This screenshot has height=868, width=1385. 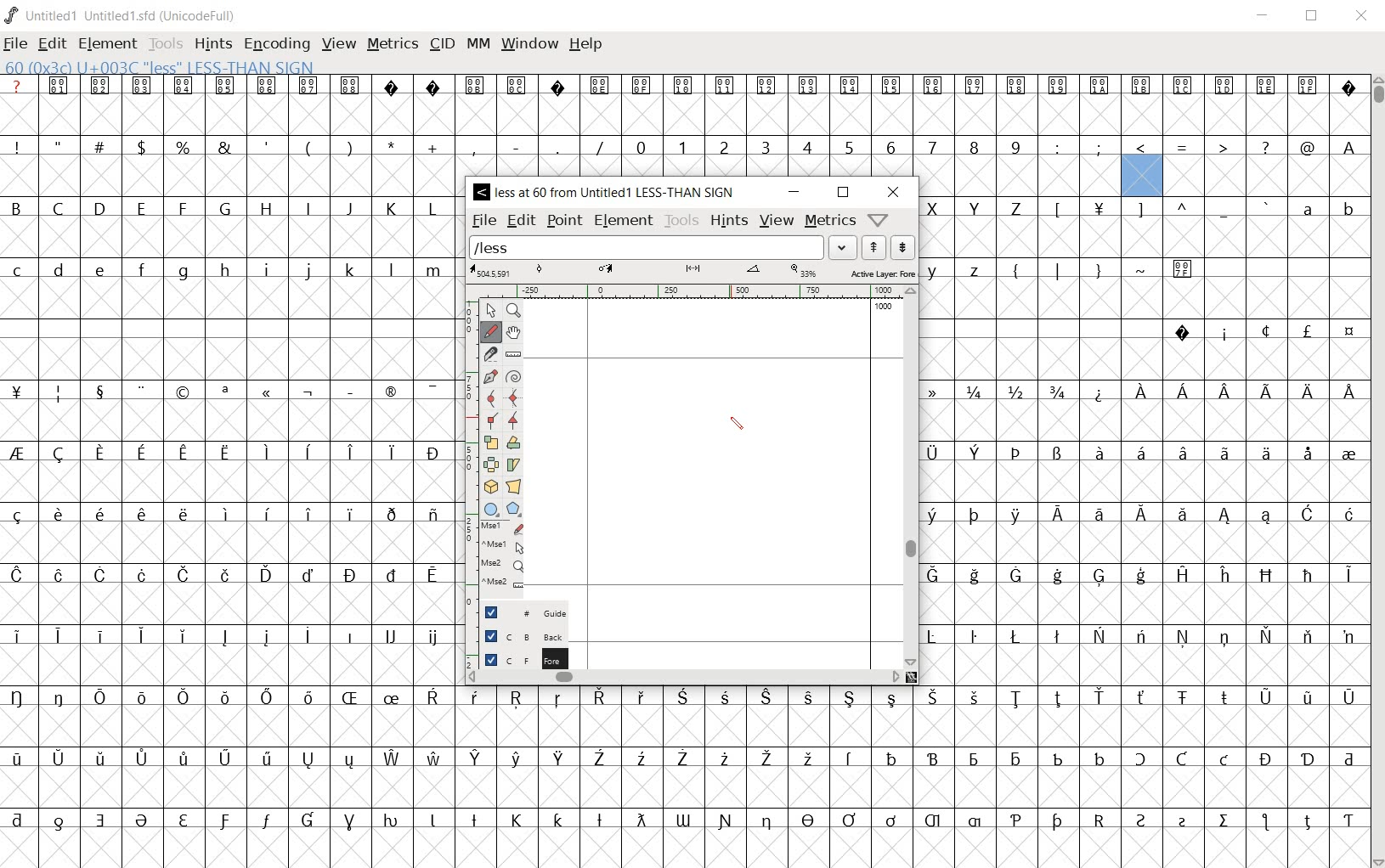 What do you see at coordinates (17, 44) in the screenshot?
I see `file` at bounding box center [17, 44].